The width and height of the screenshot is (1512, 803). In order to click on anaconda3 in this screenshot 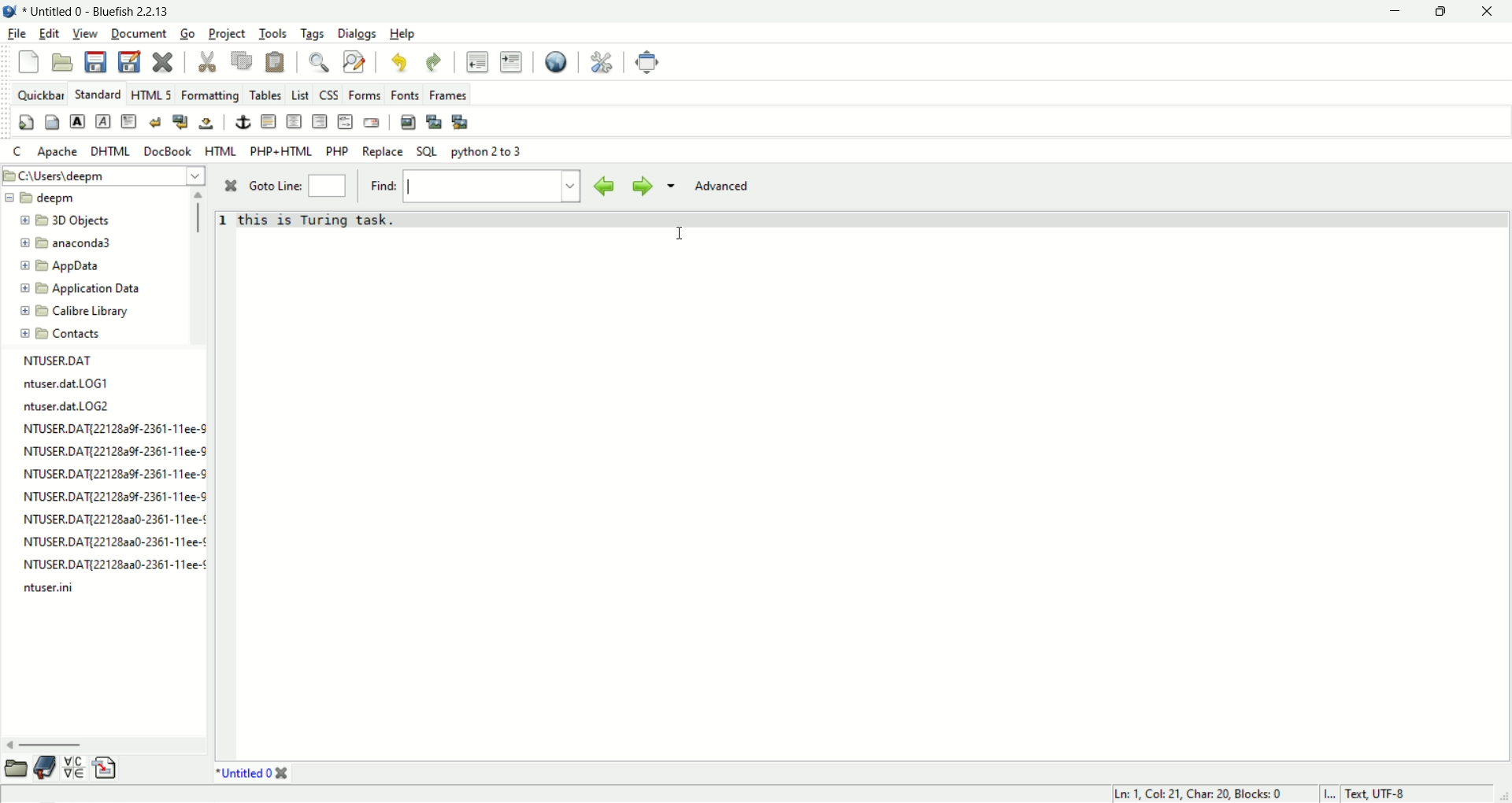, I will do `click(74, 244)`.